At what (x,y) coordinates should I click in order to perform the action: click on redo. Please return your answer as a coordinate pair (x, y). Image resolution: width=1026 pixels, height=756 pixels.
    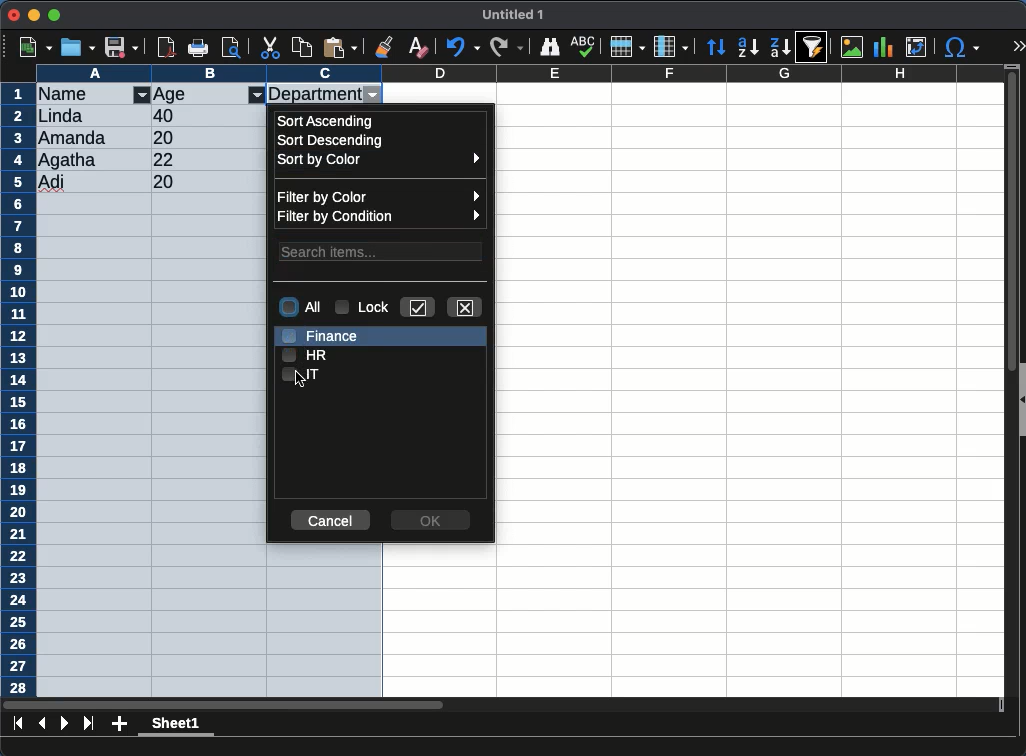
    Looking at the image, I should click on (505, 47).